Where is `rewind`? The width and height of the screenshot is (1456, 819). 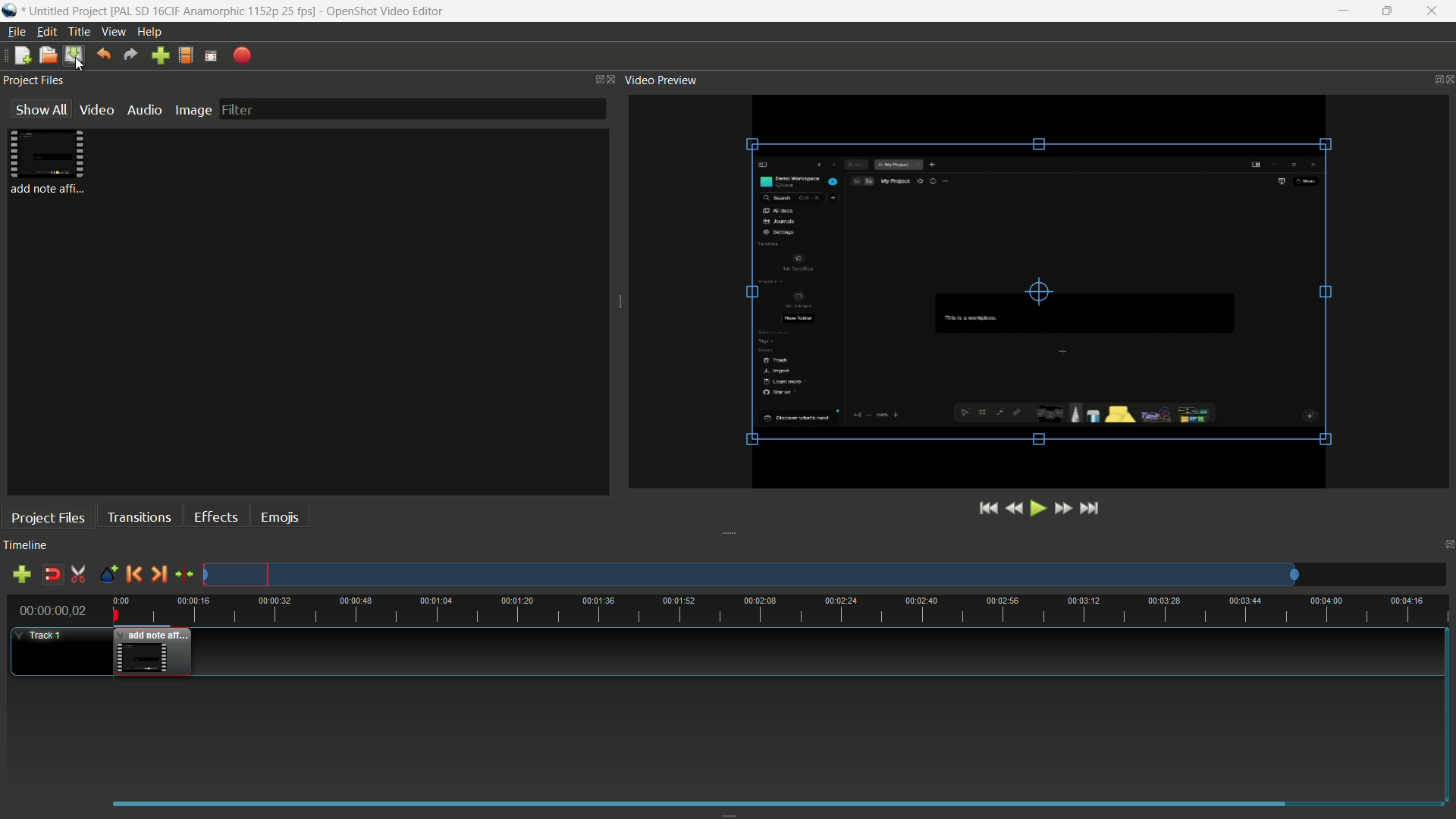
rewind is located at coordinates (1016, 508).